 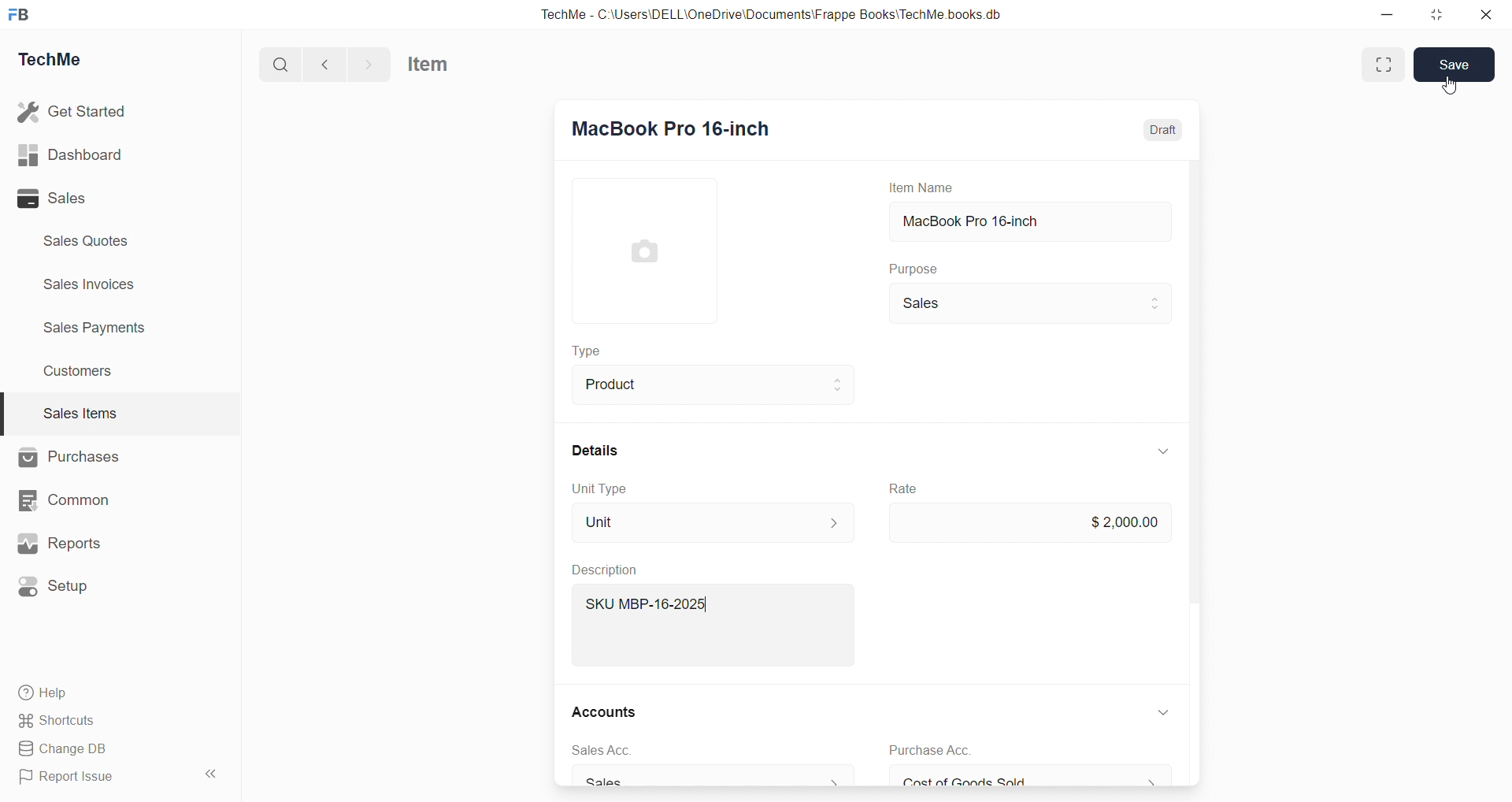 I want to click on Cost of Goods Sold, so click(x=1033, y=778).